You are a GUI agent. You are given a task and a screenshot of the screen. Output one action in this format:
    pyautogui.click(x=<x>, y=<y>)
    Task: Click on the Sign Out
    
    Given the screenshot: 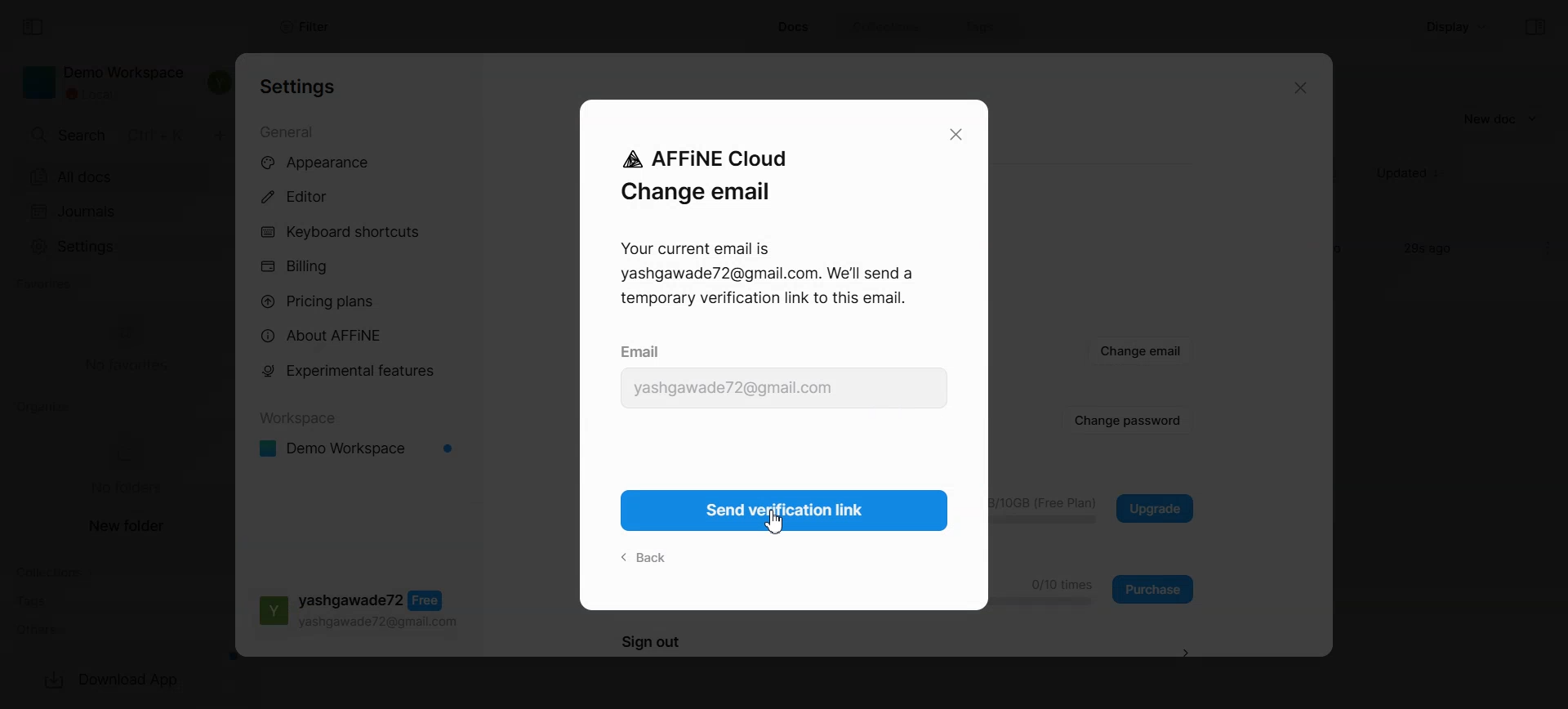 What is the action you would take?
    pyautogui.click(x=1190, y=651)
    